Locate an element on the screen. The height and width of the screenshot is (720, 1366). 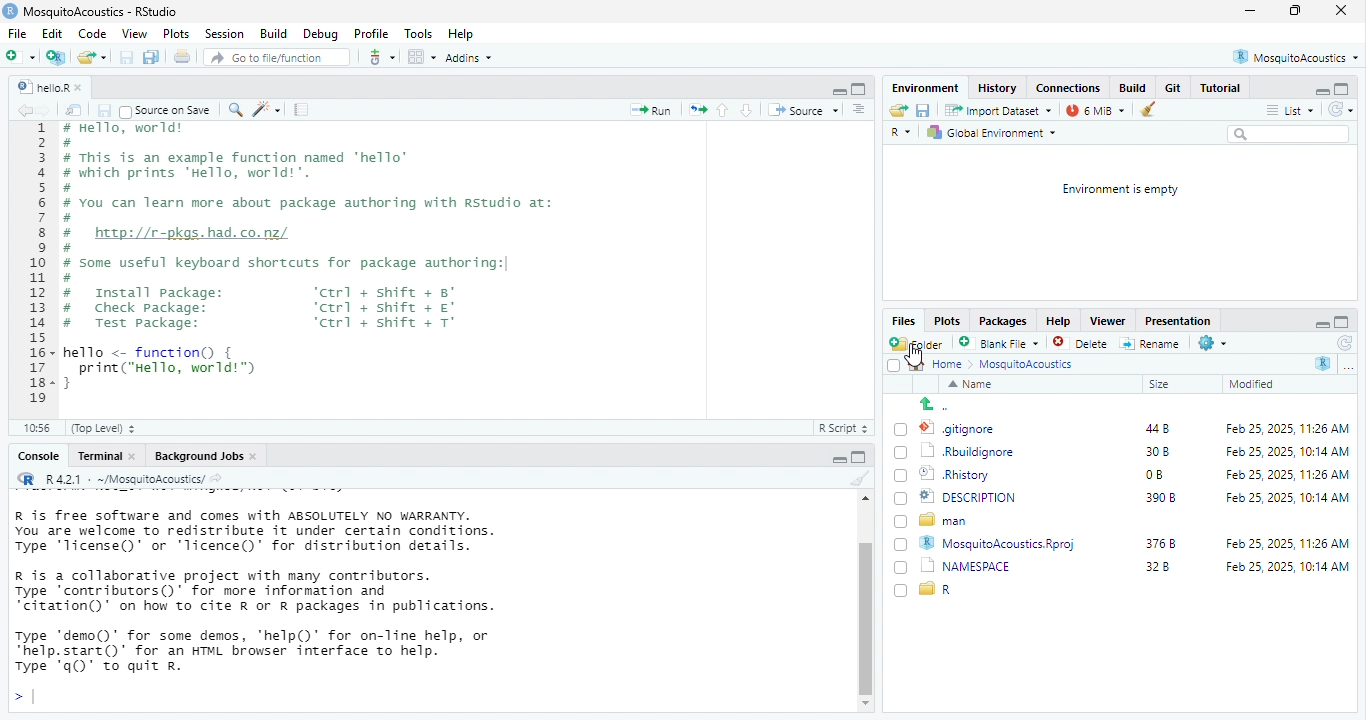
rburgignore is located at coordinates (972, 452).